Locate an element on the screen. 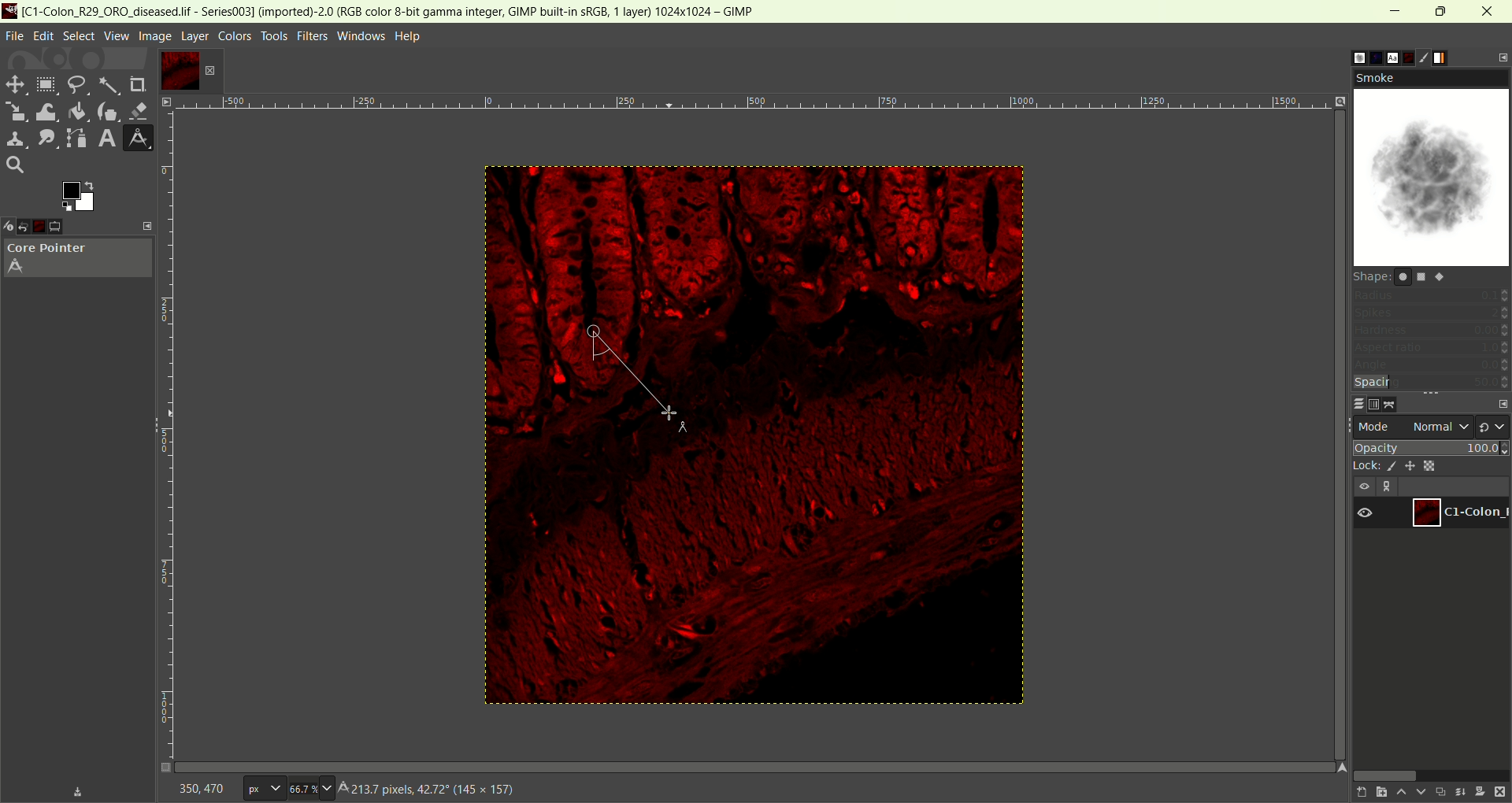 This screenshot has height=803, width=1512. device status is located at coordinates (9, 227).